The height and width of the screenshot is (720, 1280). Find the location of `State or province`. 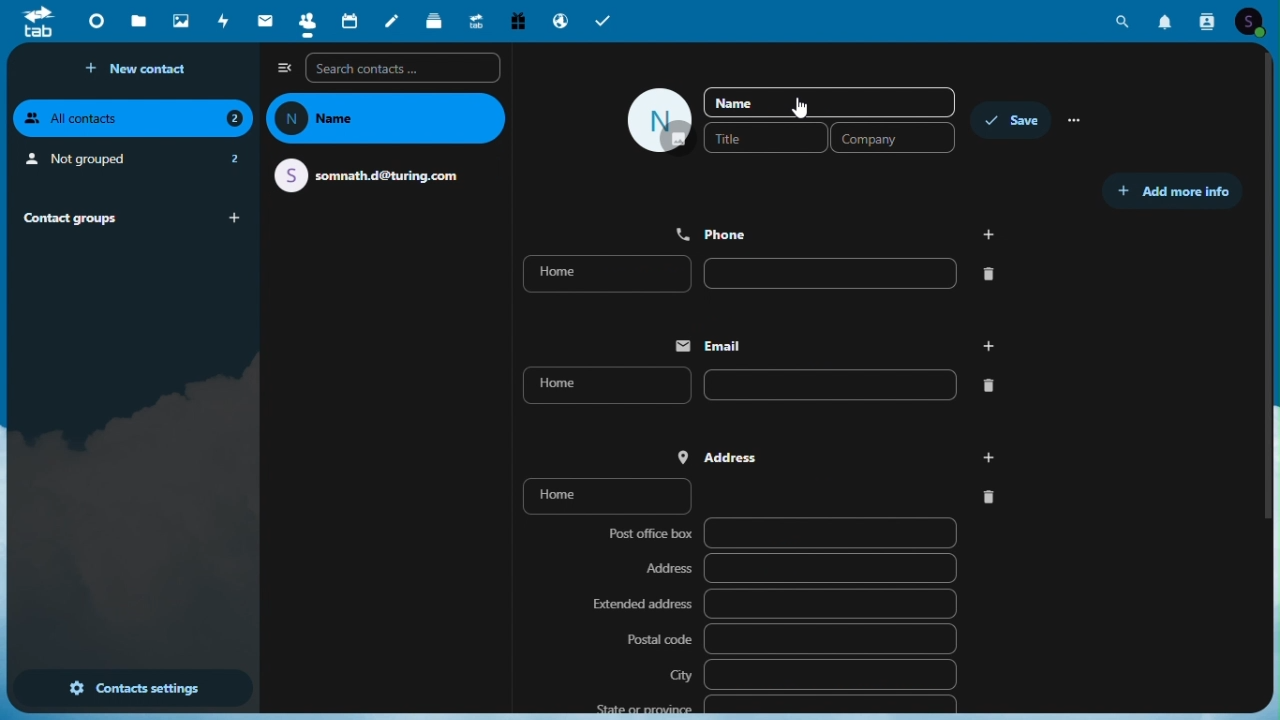

State or province is located at coordinates (773, 704).